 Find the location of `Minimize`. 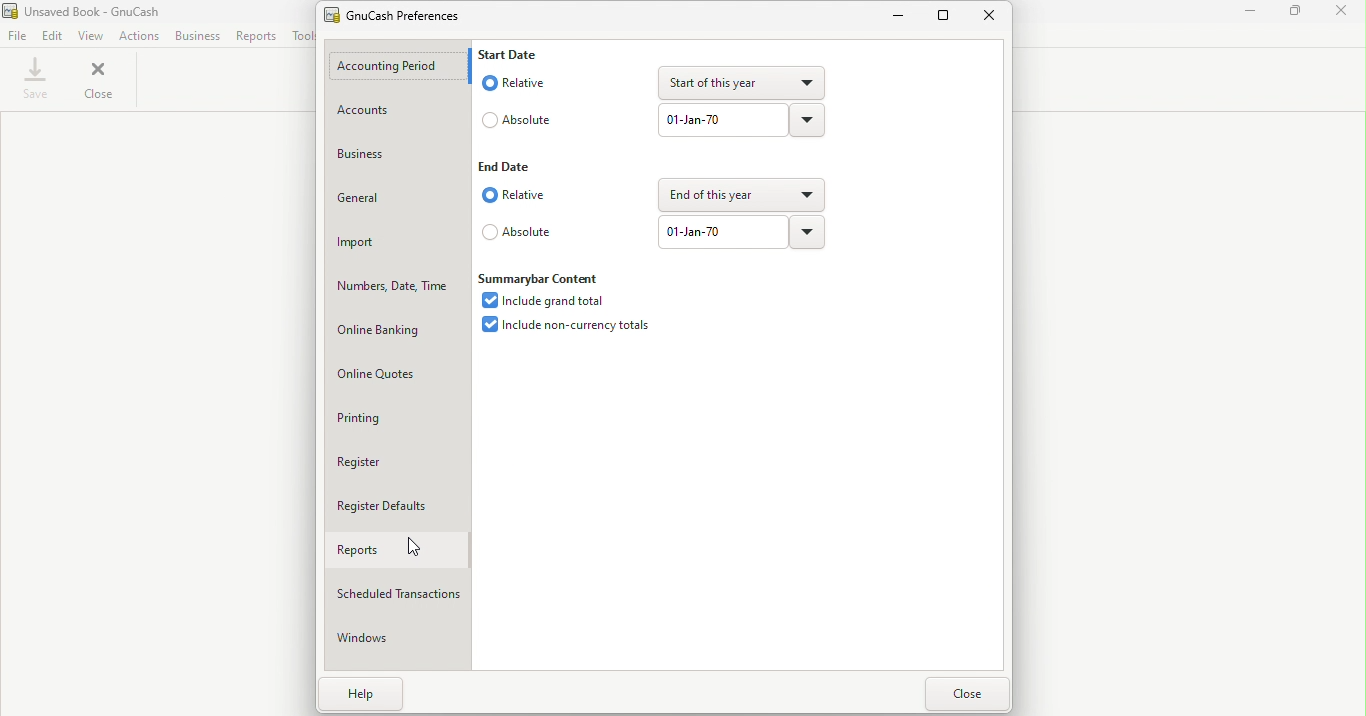

Minimize is located at coordinates (1251, 12).